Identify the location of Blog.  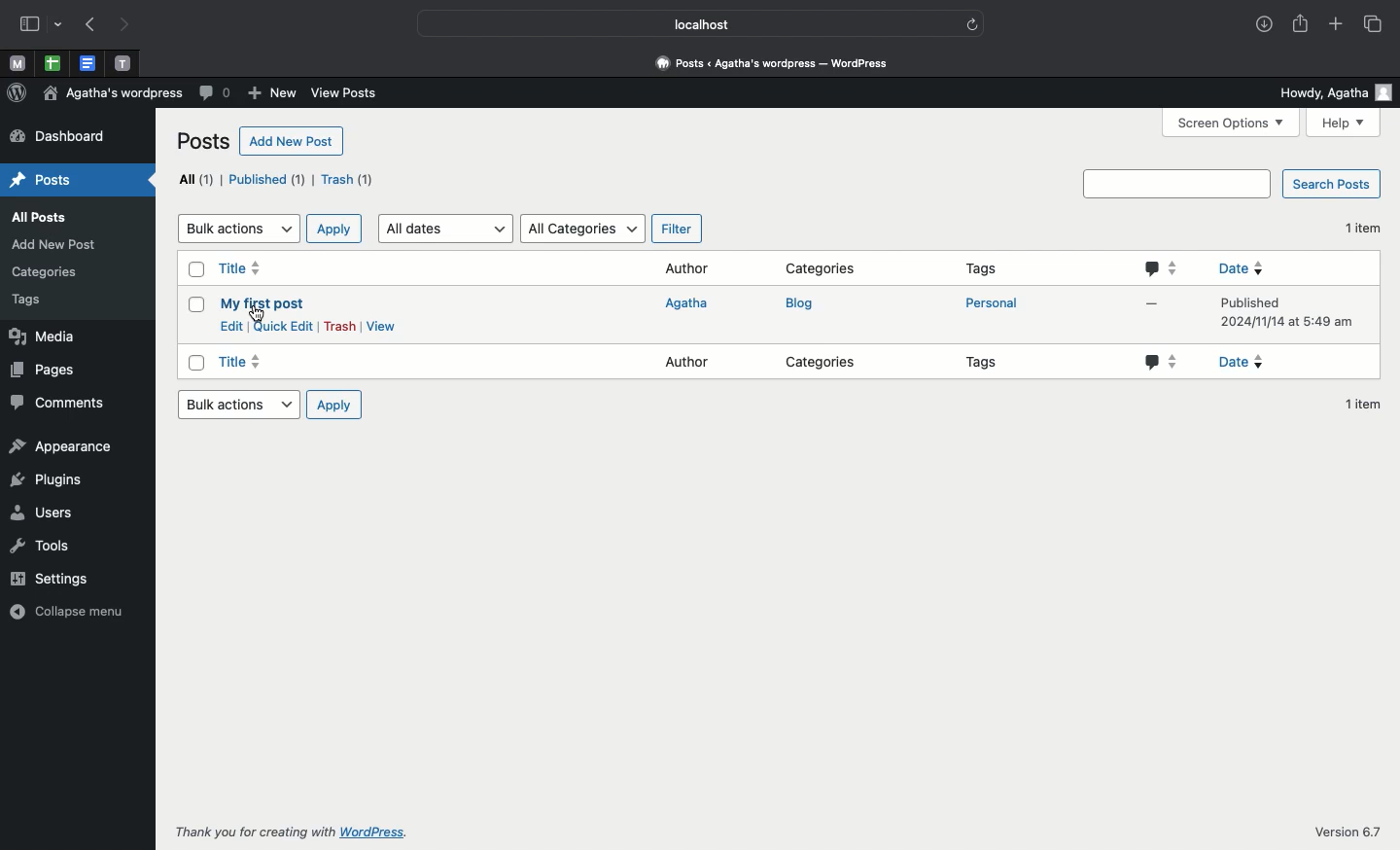
(801, 303).